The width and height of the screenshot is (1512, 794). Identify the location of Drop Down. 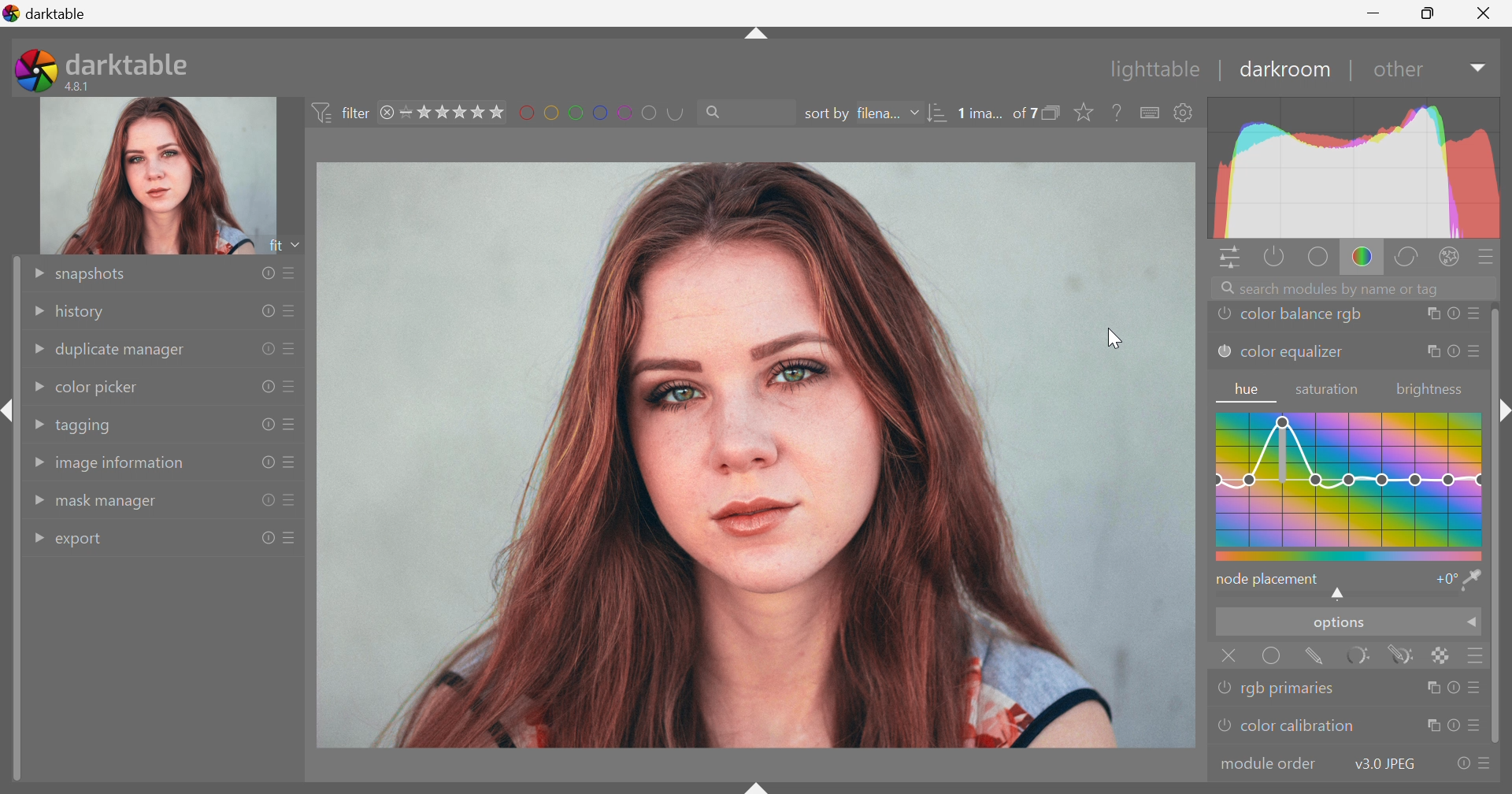
(35, 387).